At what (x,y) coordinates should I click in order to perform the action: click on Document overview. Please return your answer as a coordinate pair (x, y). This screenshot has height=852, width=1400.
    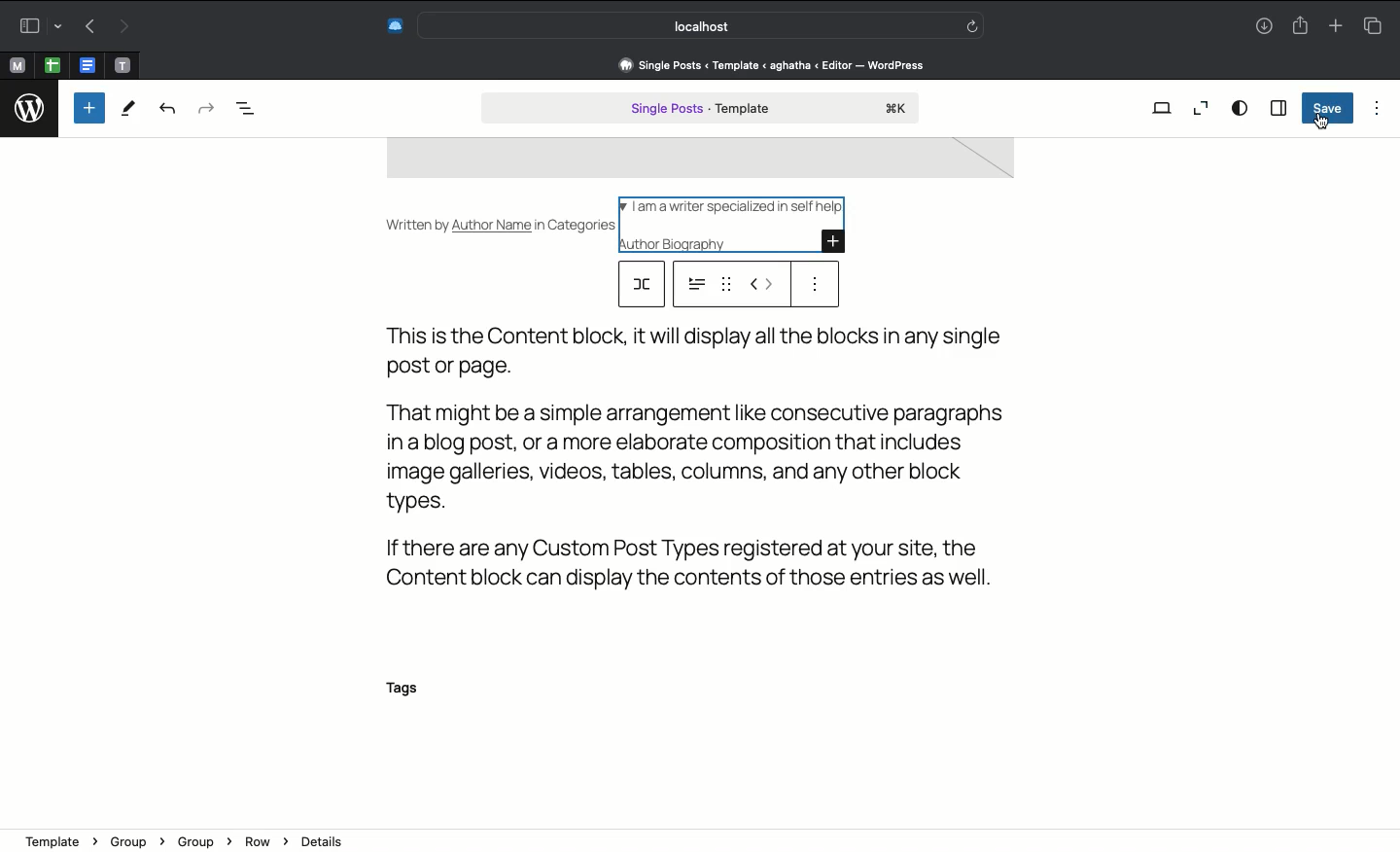
    Looking at the image, I should click on (256, 109).